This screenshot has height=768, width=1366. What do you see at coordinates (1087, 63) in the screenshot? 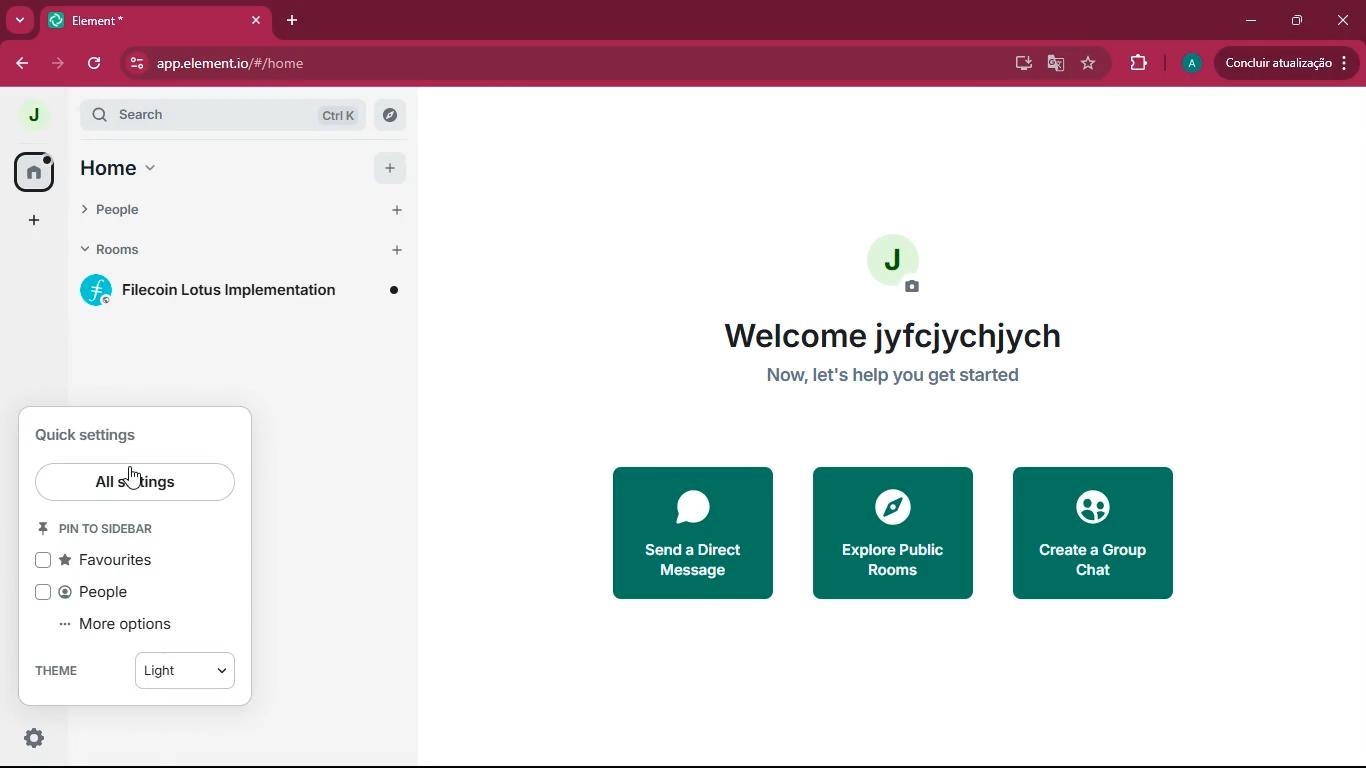
I see `favourite` at bounding box center [1087, 63].